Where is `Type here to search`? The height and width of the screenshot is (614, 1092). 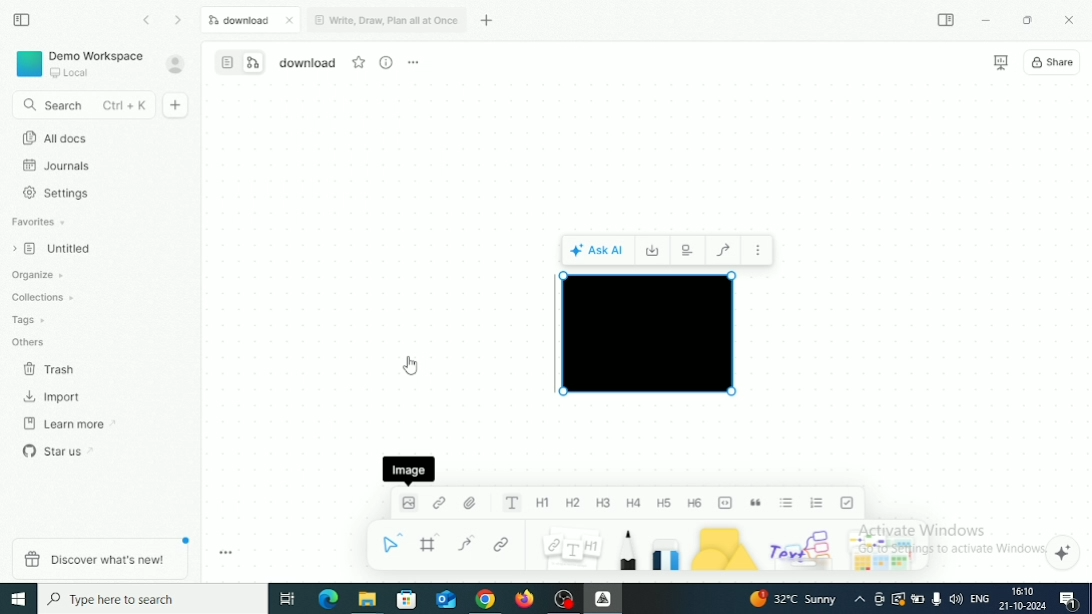 Type here to search is located at coordinates (152, 599).